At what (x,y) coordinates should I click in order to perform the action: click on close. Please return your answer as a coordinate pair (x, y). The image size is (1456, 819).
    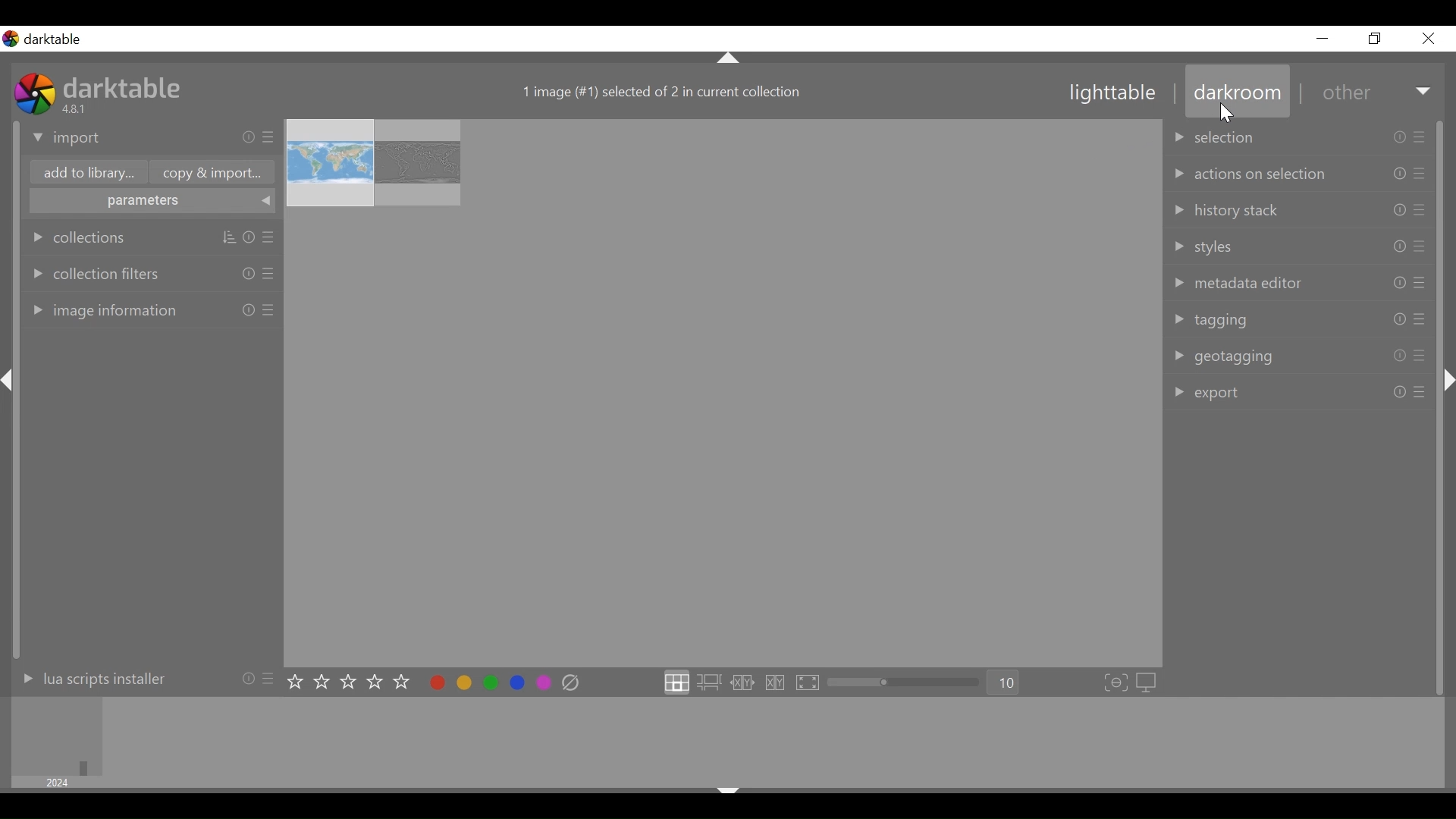
    Looking at the image, I should click on (1427, 39).